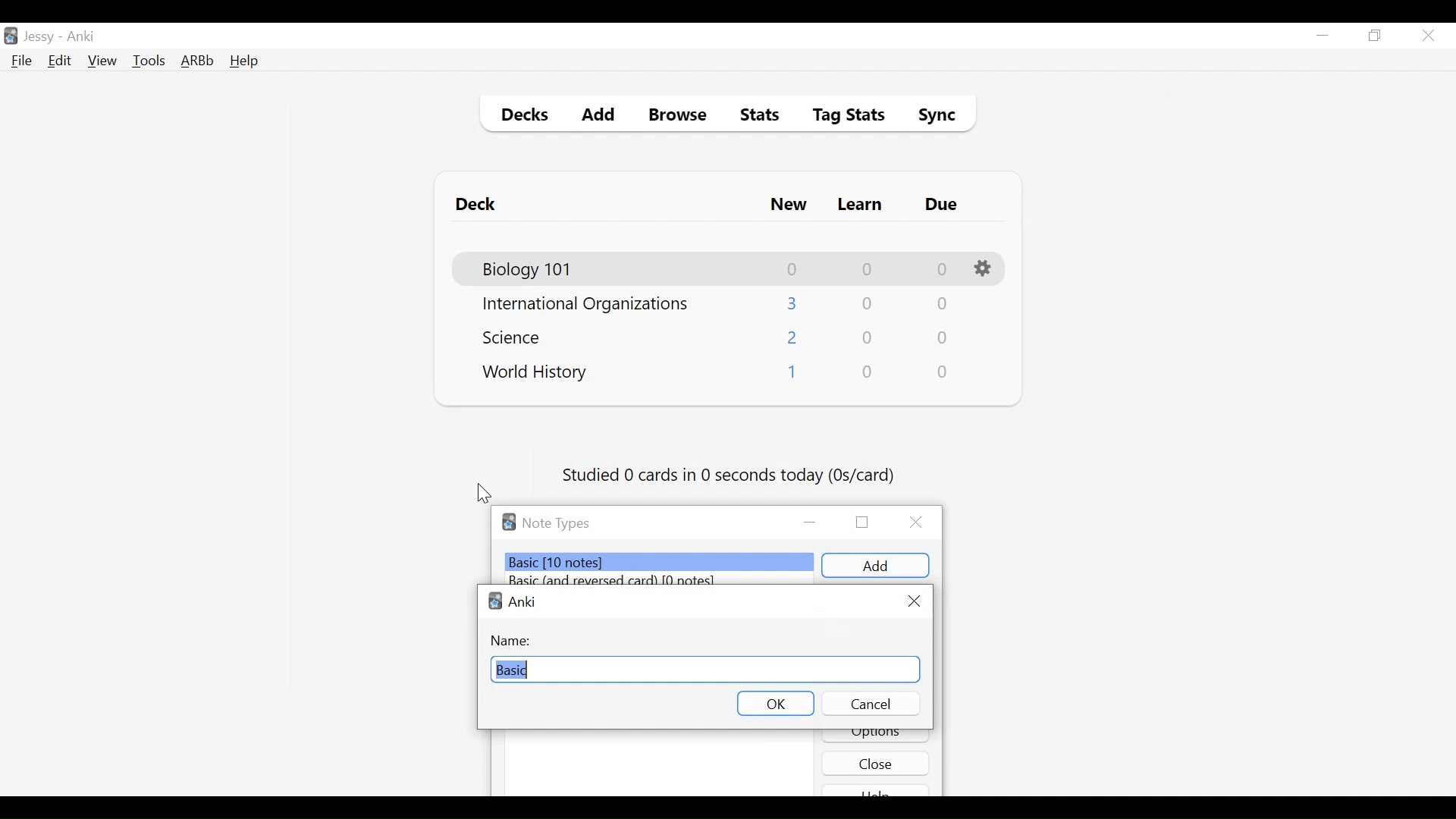 Image resolution: width=1456 pixels, height=819 pixels. What do you see at coordinates (859, 206) in the screenshot?
I see `Learn` at bounding box center [859, 206].